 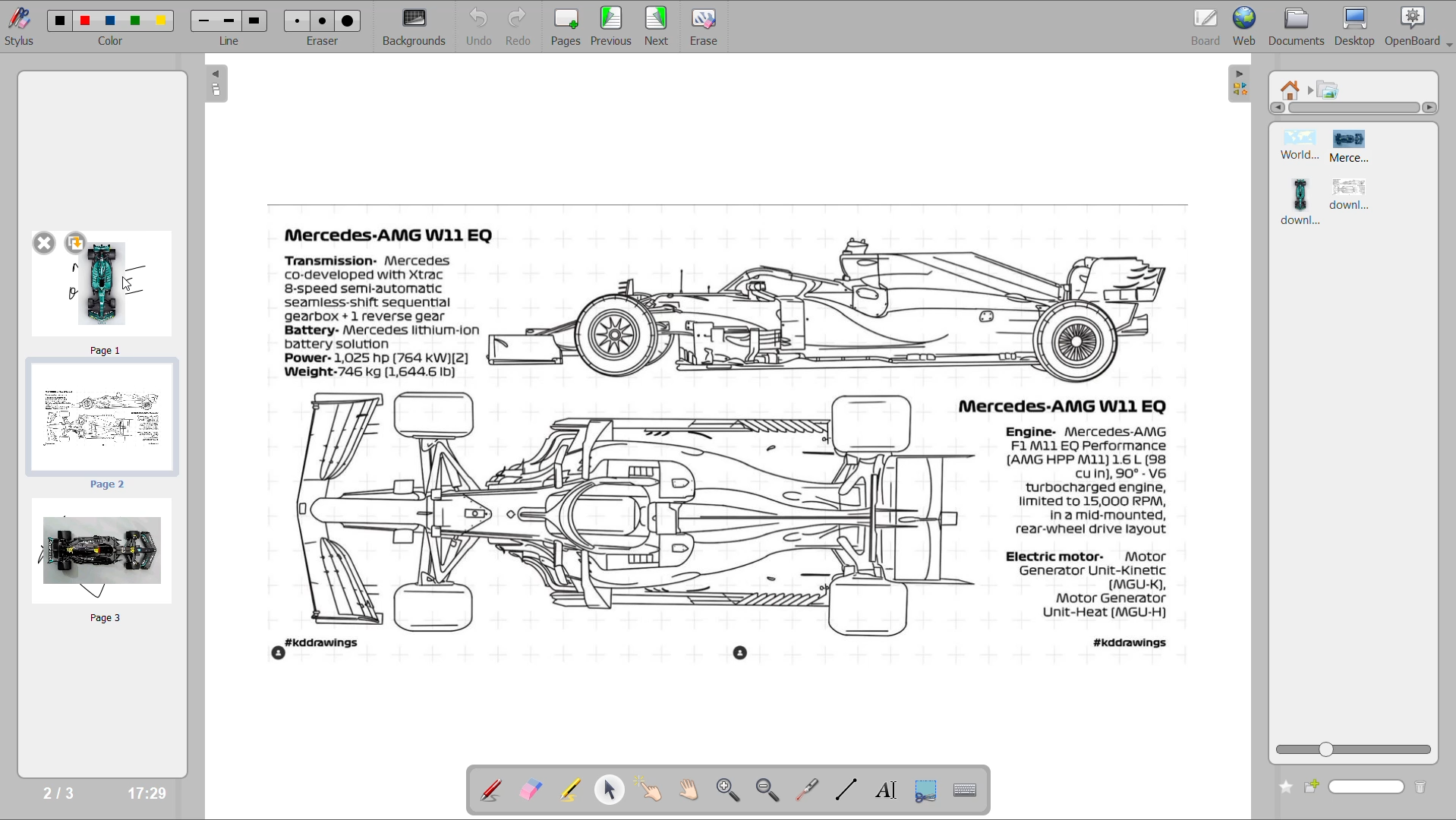 I want to click on Close, so click(x=37, y=241).